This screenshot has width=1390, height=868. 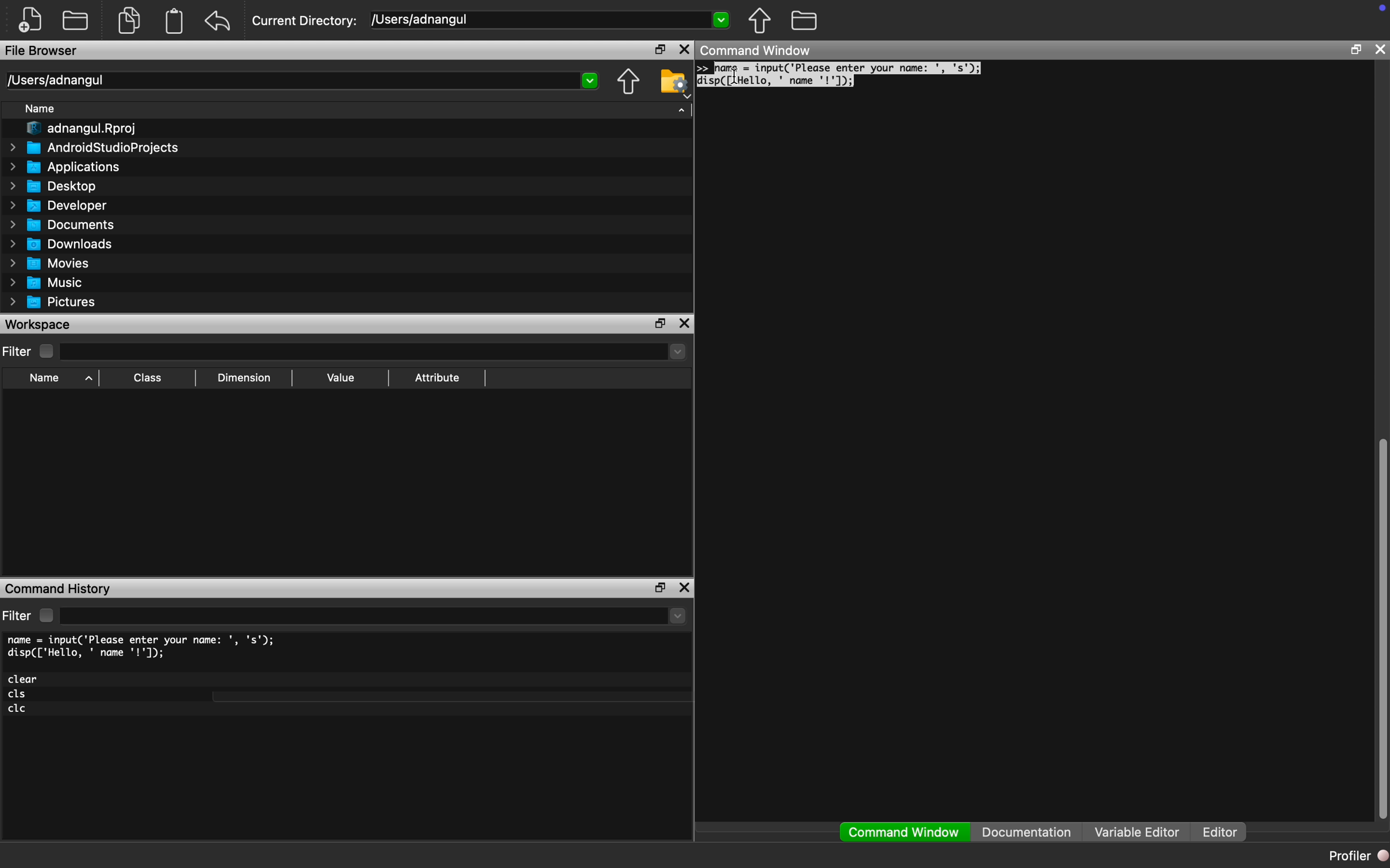 I want to click on previous file, so click(x=760, y=21).